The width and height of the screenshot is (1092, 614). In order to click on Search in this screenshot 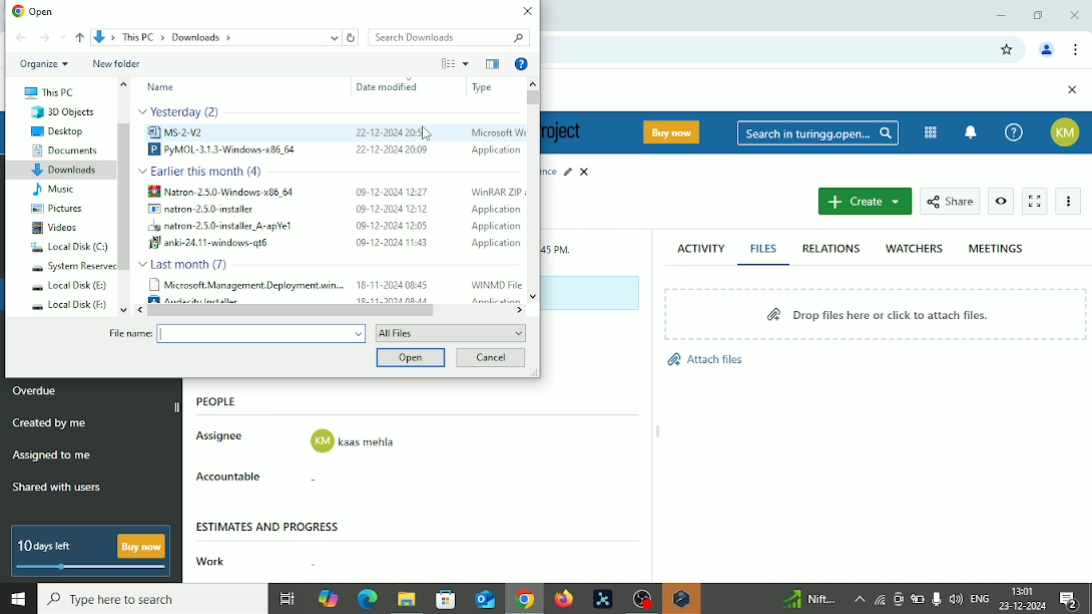, I will do `click(818, 134)`.